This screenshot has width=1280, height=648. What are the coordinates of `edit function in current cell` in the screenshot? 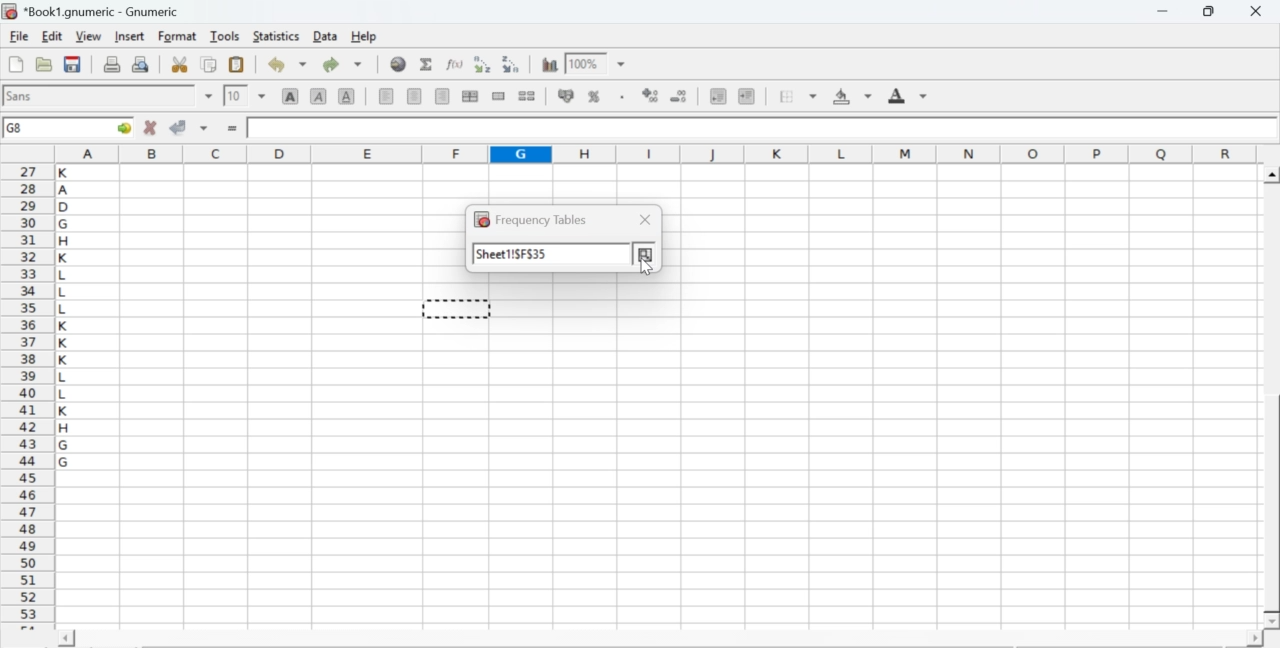 It's located at (456, 63).